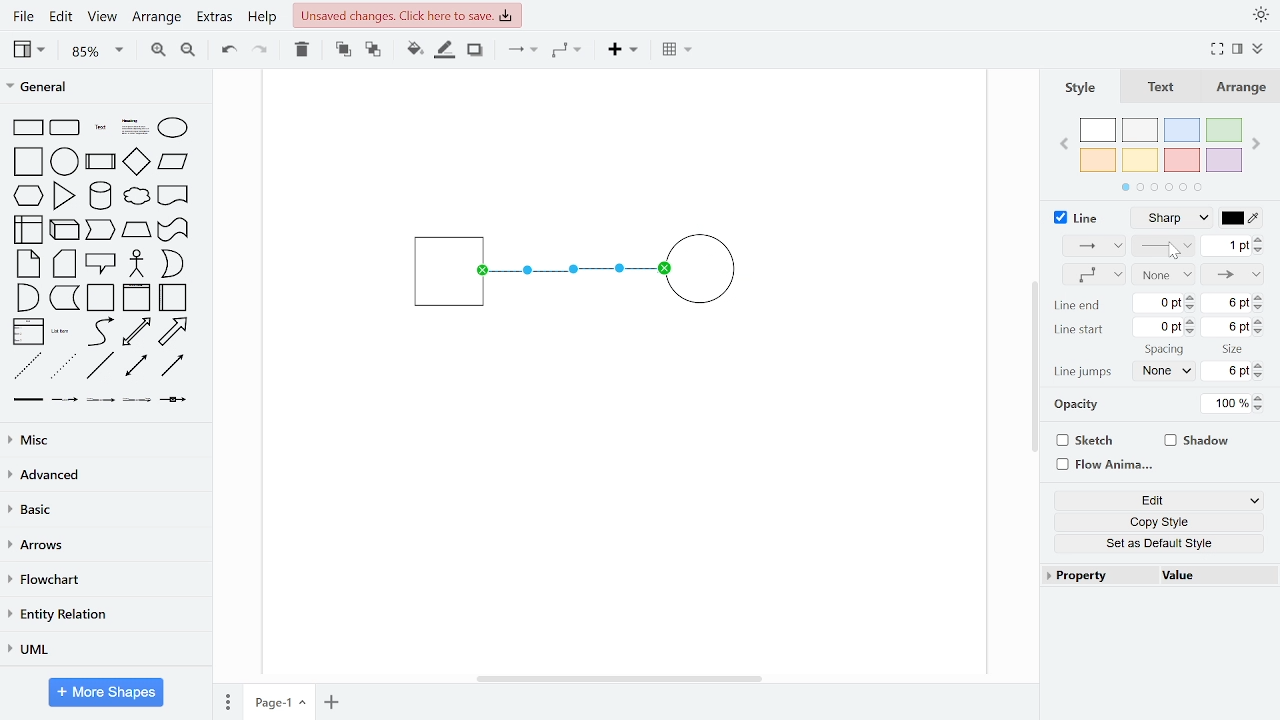  What do you see at coordinates (60, 18) in the screenshot?
I see `edit` at bounding box center [60, 18].